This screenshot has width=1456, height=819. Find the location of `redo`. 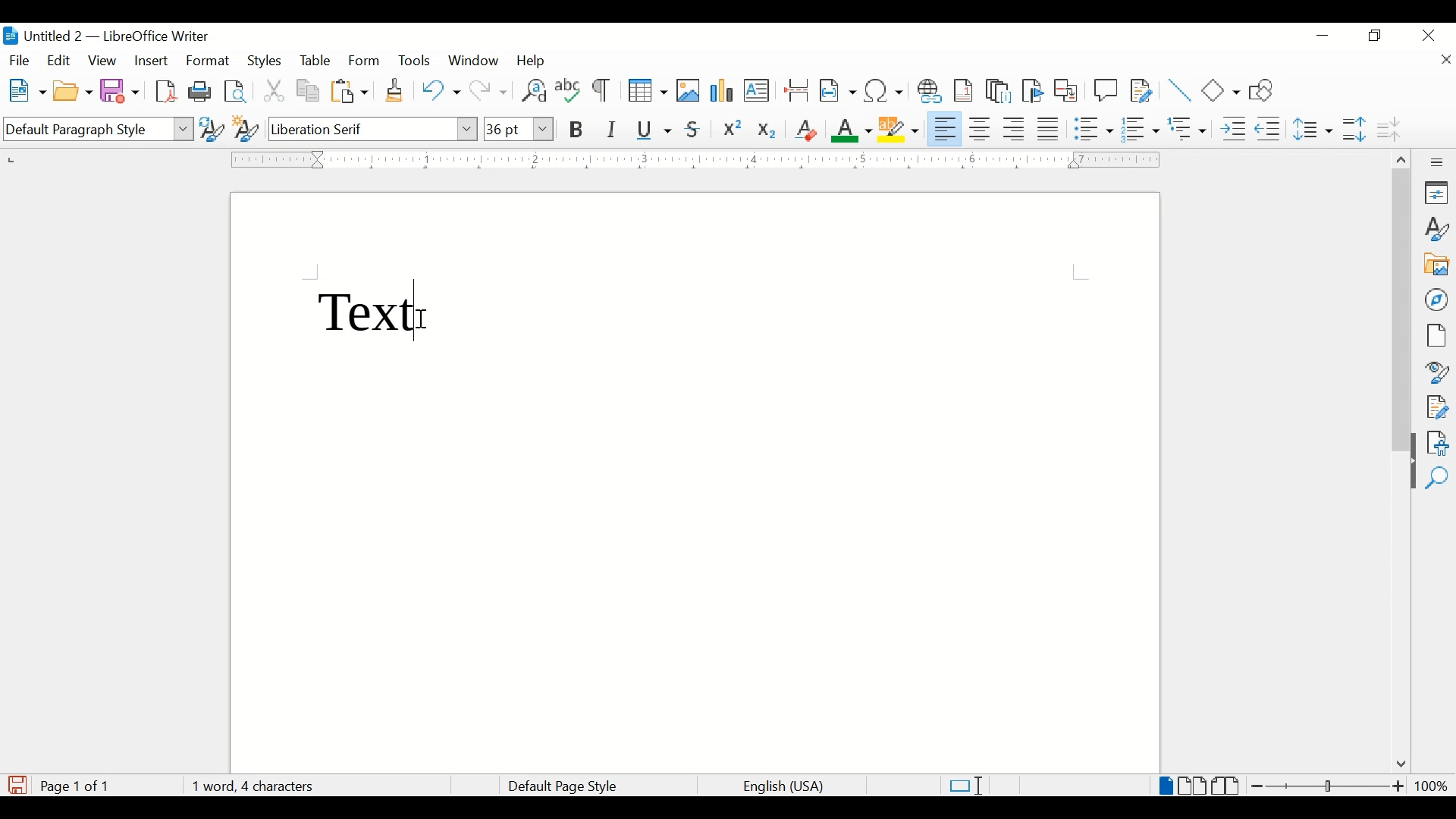

redo is located at coordinates (489, 91).